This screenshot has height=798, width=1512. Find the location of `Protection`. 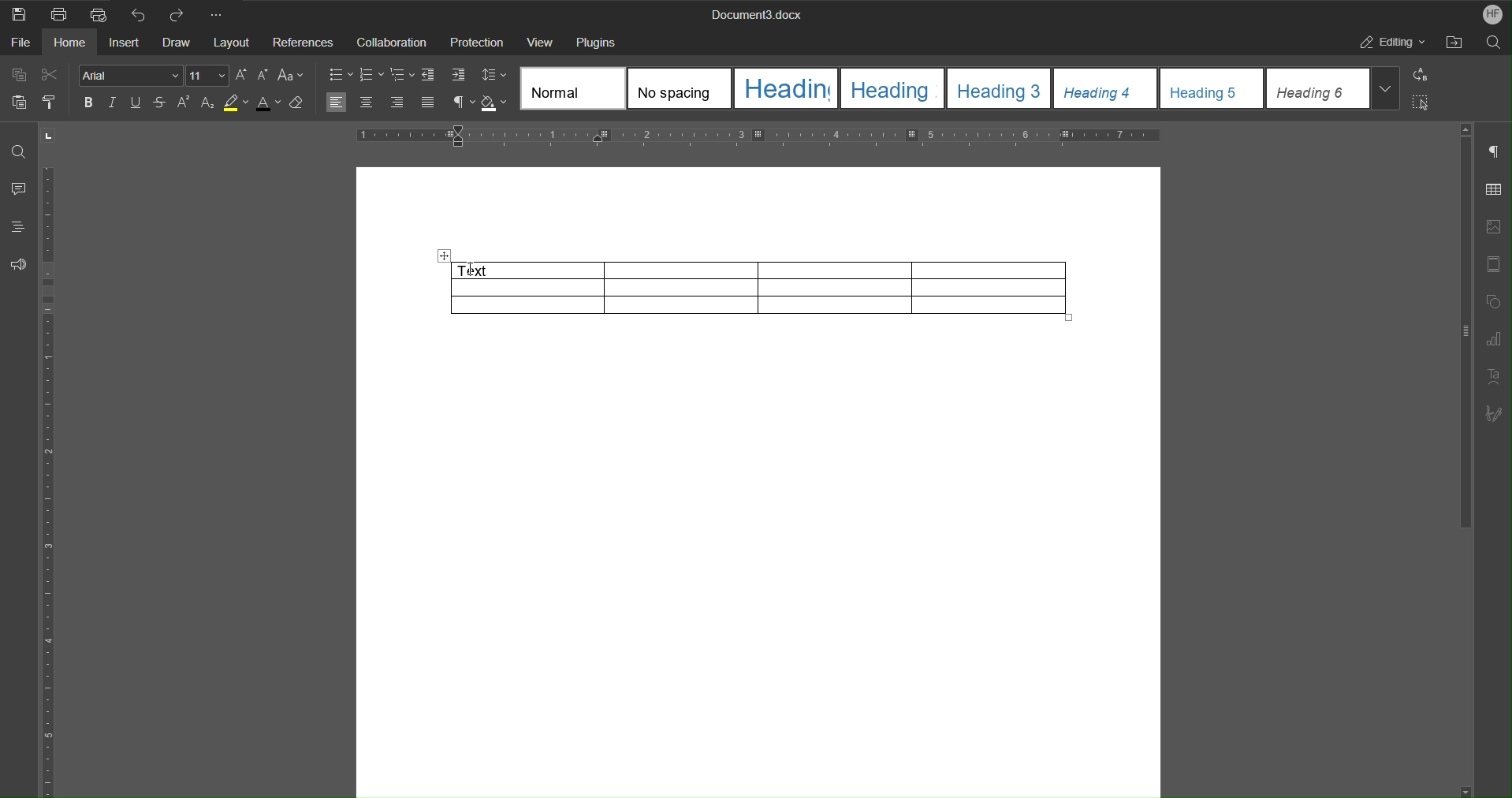

Protection is located at coordinates (476, 41).